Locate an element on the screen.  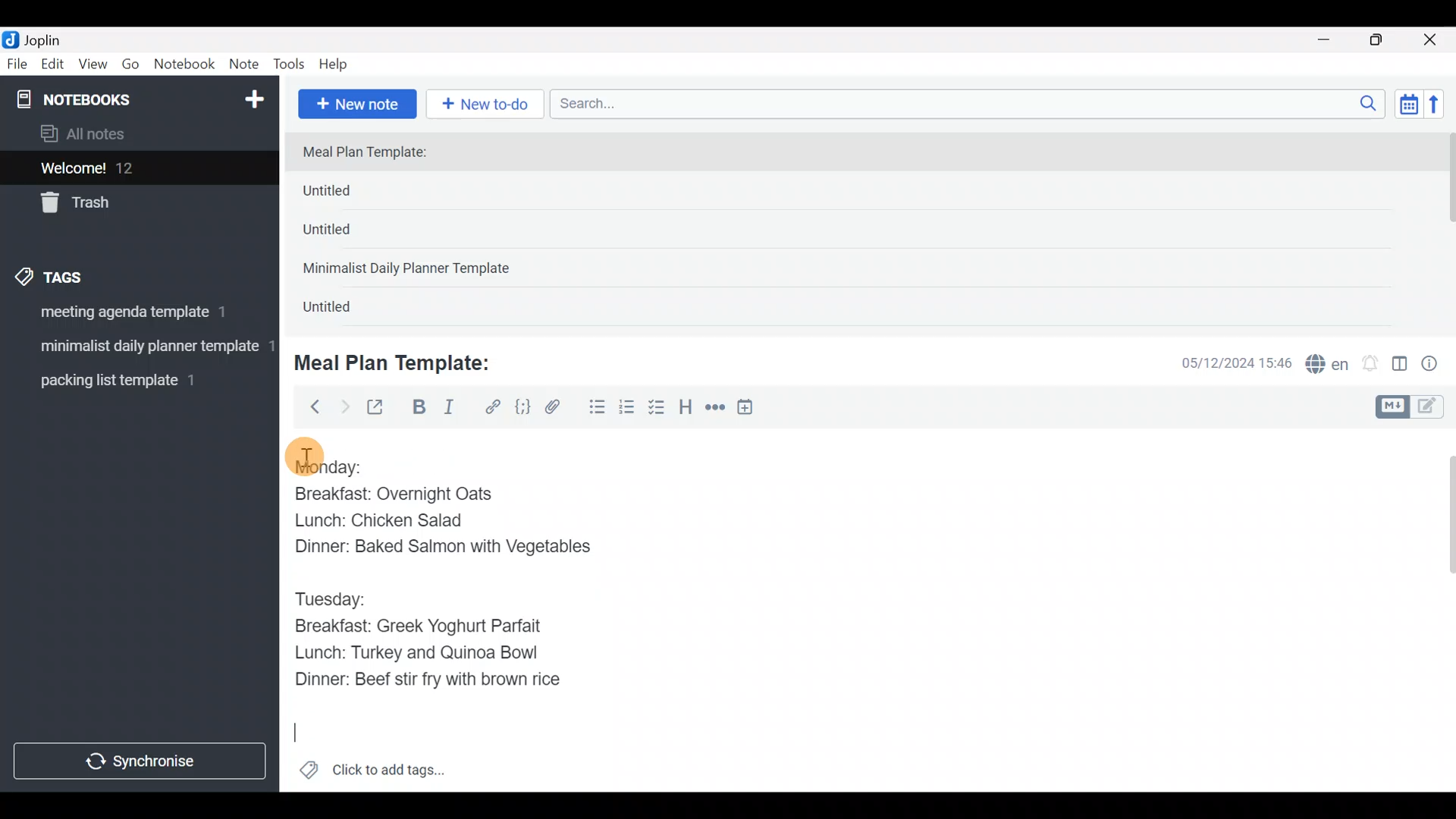
Maximize is located at coordinates (1385, 40).